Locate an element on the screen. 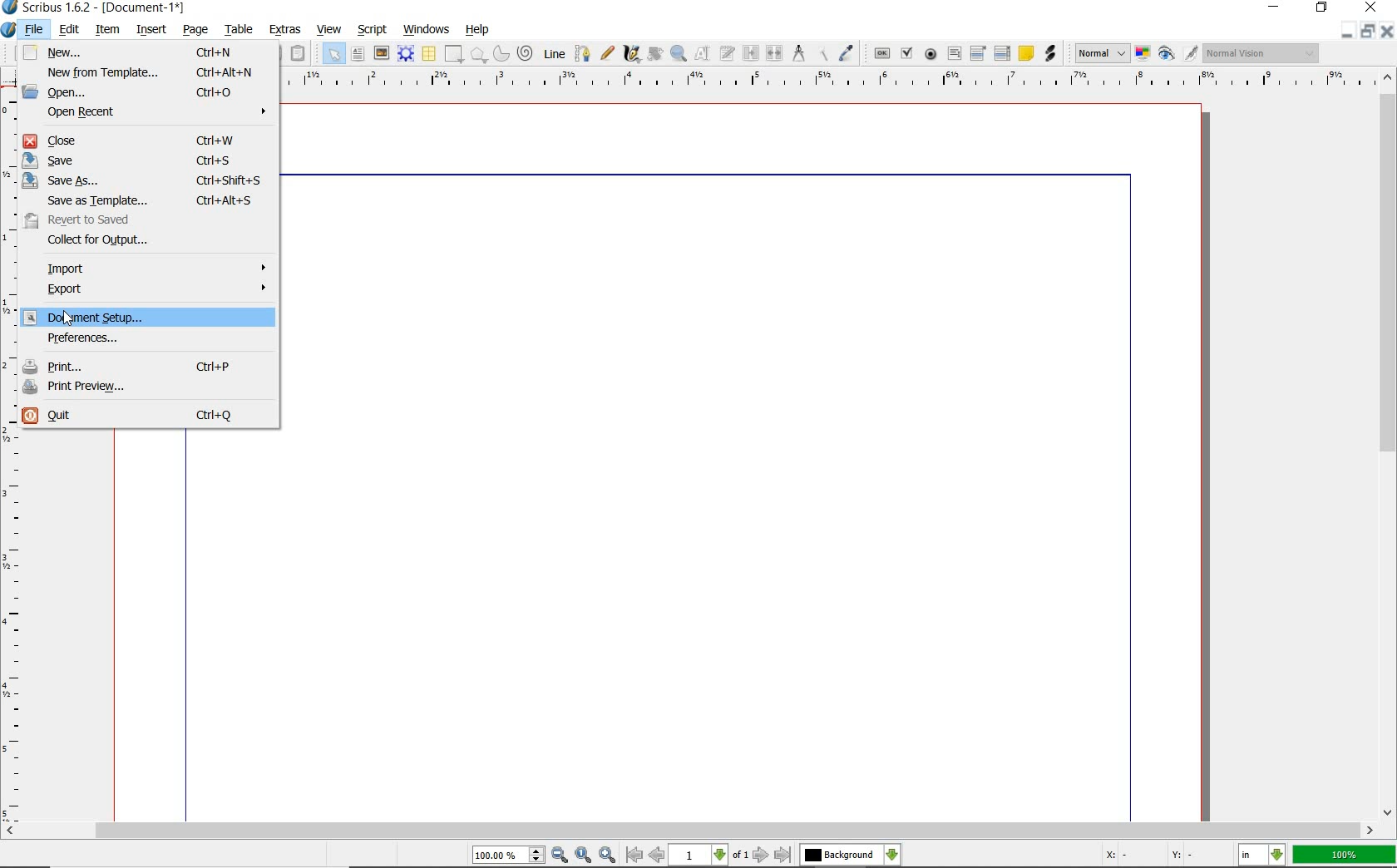 The height and width of the screenshot is (868, 1397). move to next or previous page is located at coordinates (710, 856).